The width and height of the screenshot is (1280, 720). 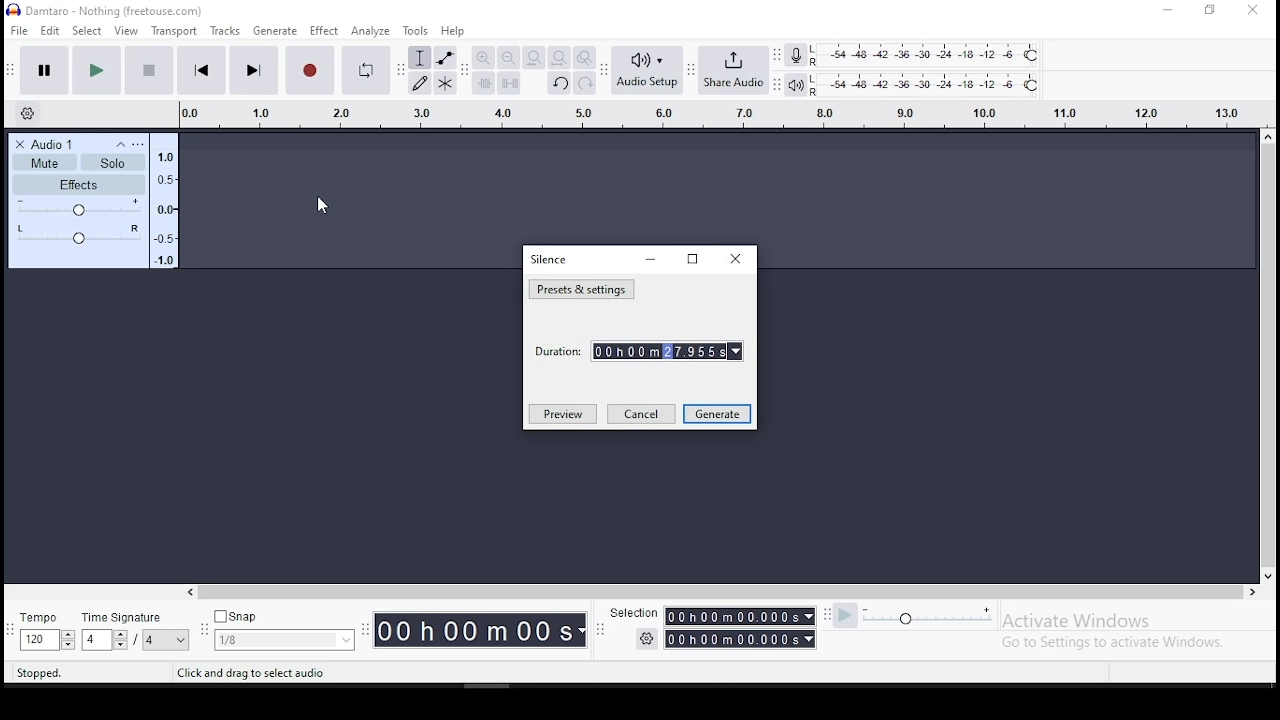 What do you see at coordinates (39, 676) in the screenshot?
I see `stopped` at bounding box center [39, 676].